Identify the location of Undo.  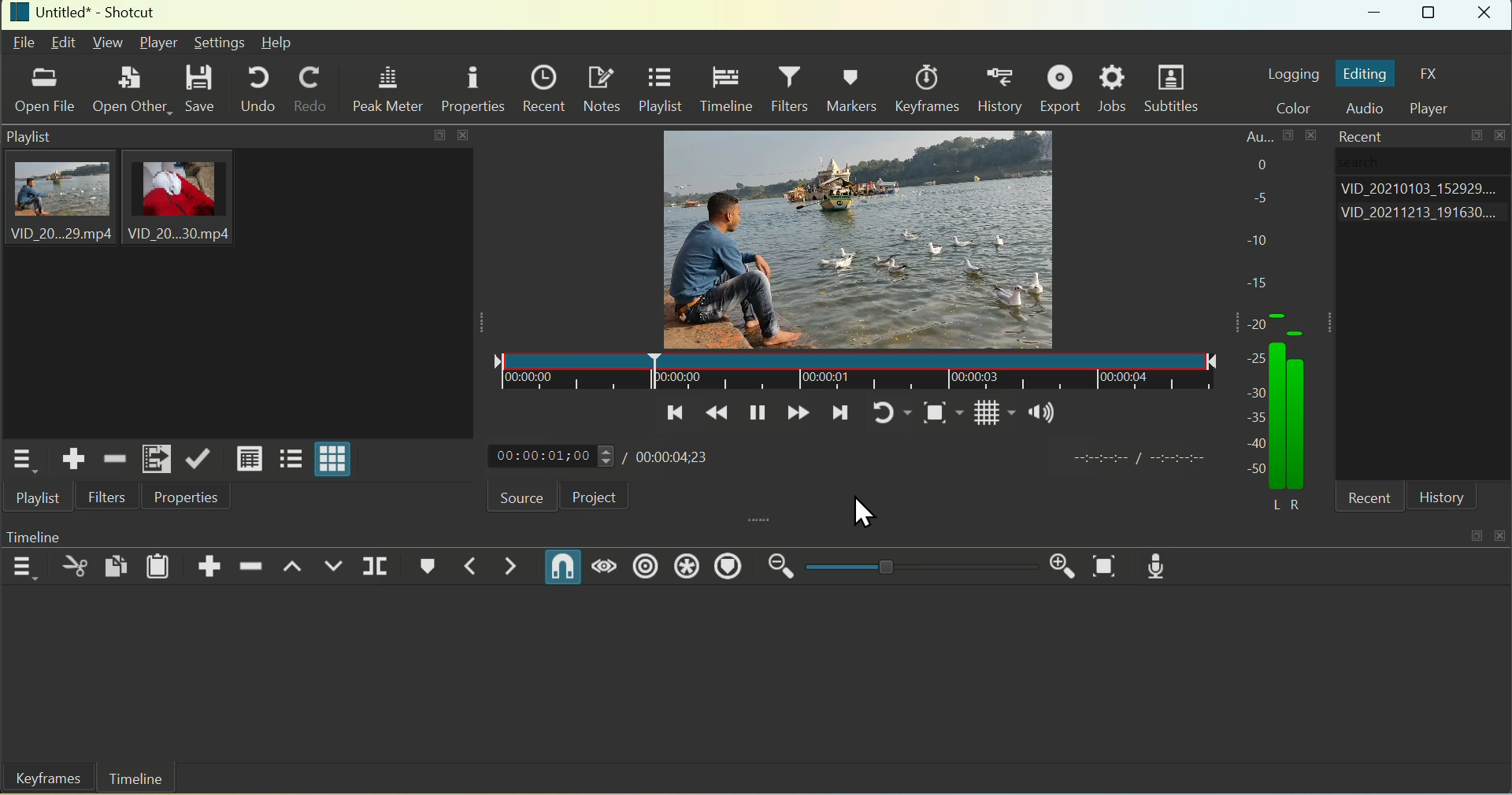
(258, 88).